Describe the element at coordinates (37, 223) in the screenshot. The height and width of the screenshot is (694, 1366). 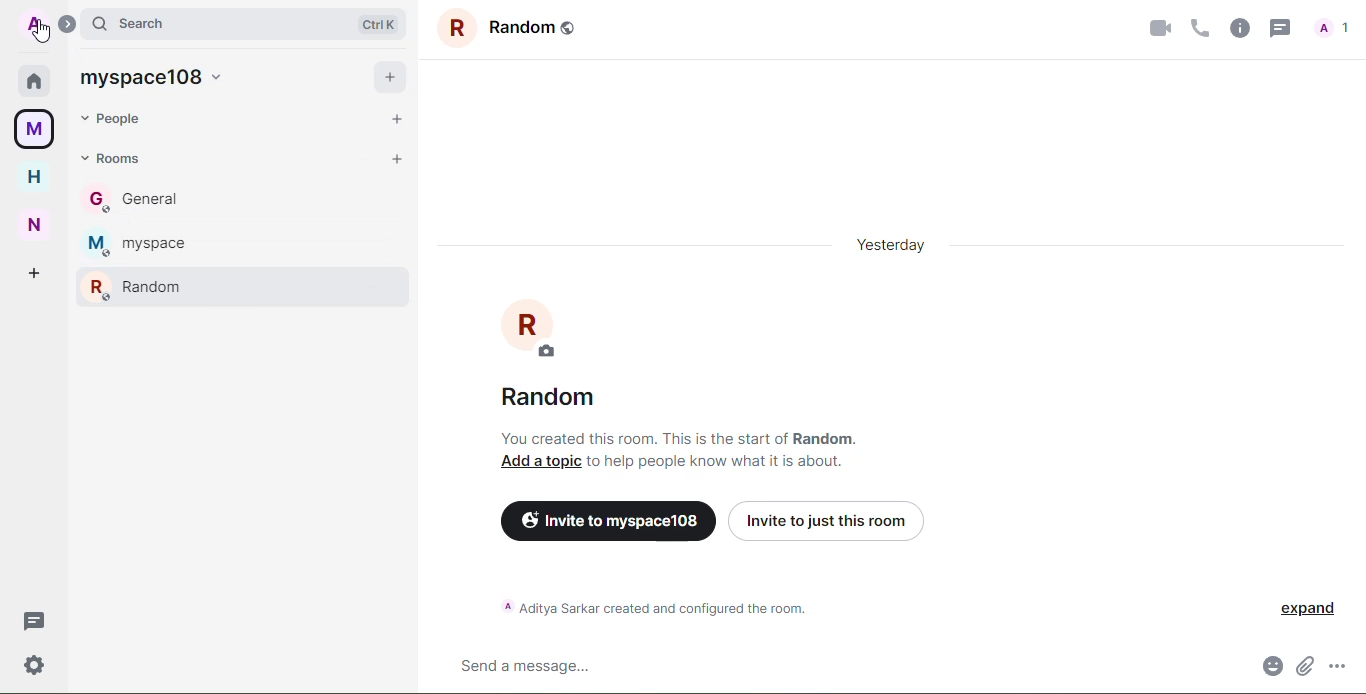
I see `new` at that location.